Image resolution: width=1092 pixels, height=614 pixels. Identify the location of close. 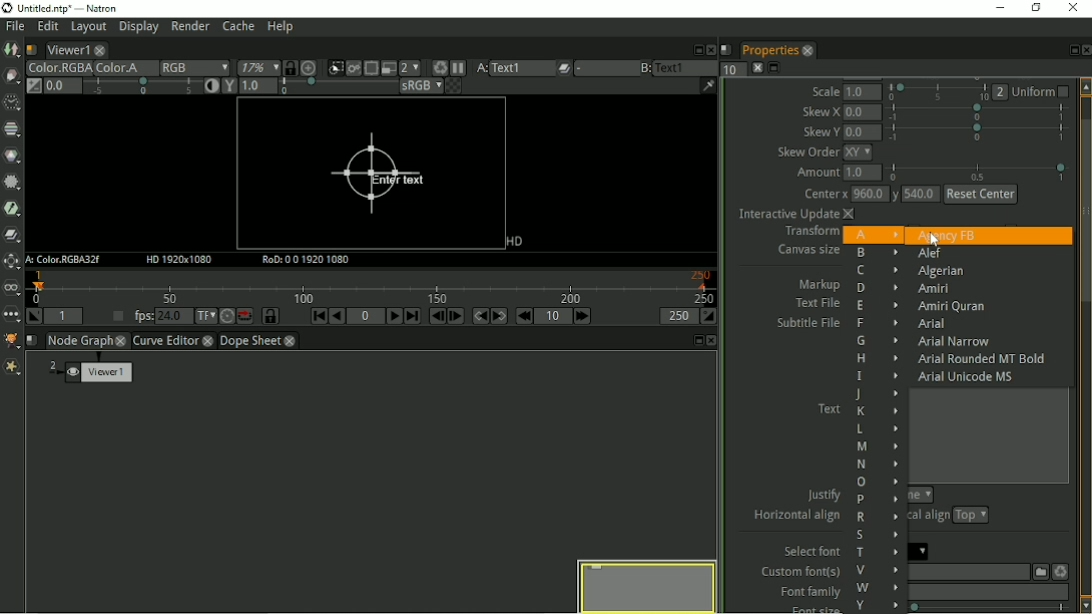
(122, 340).